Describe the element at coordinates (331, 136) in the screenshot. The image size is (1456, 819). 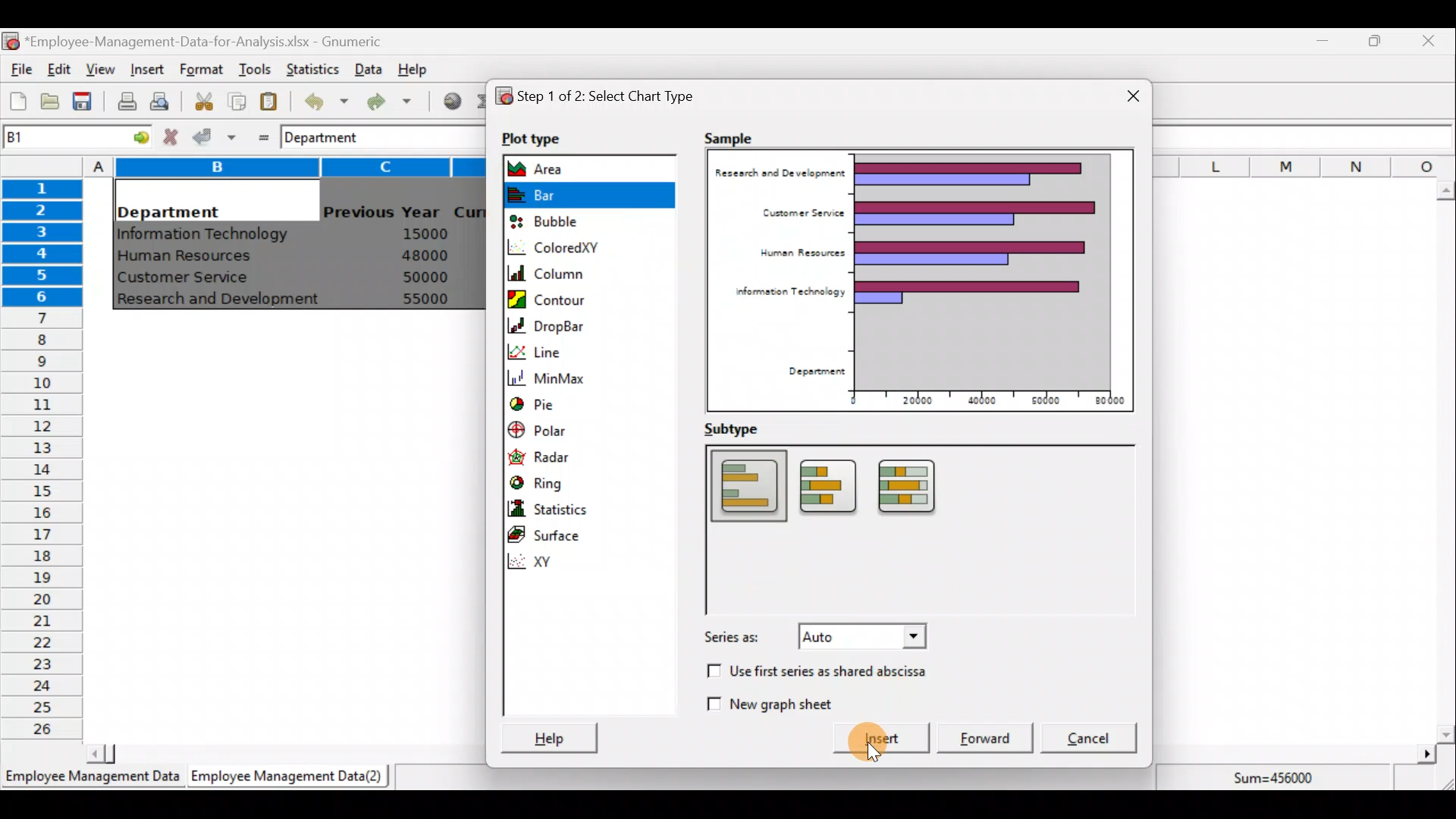
I see `Department` at that location.